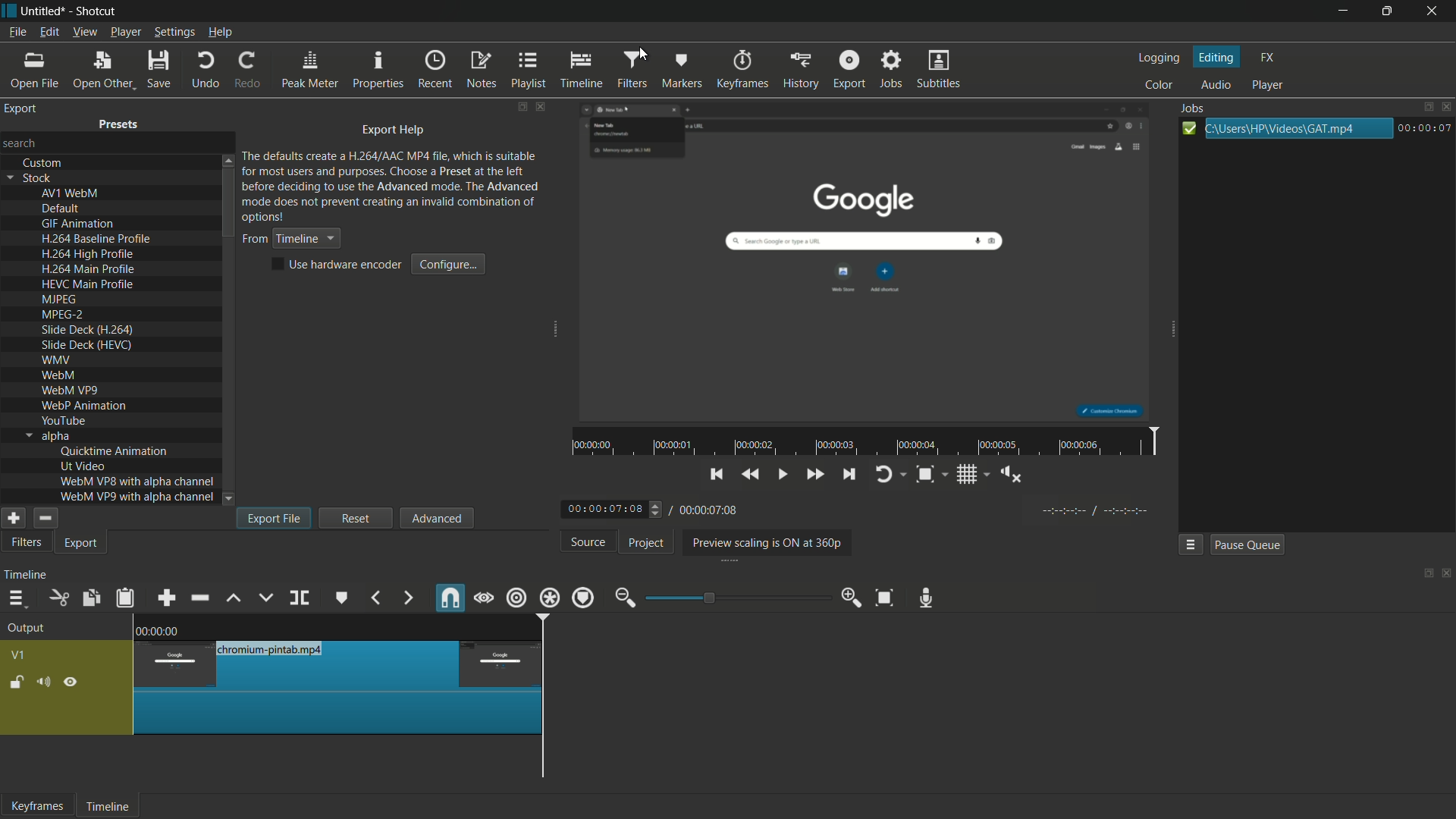  What do you see at coordinates (89, 599) in the screenshot?
I see `copy checked filters` at bounding box center [89, 599].